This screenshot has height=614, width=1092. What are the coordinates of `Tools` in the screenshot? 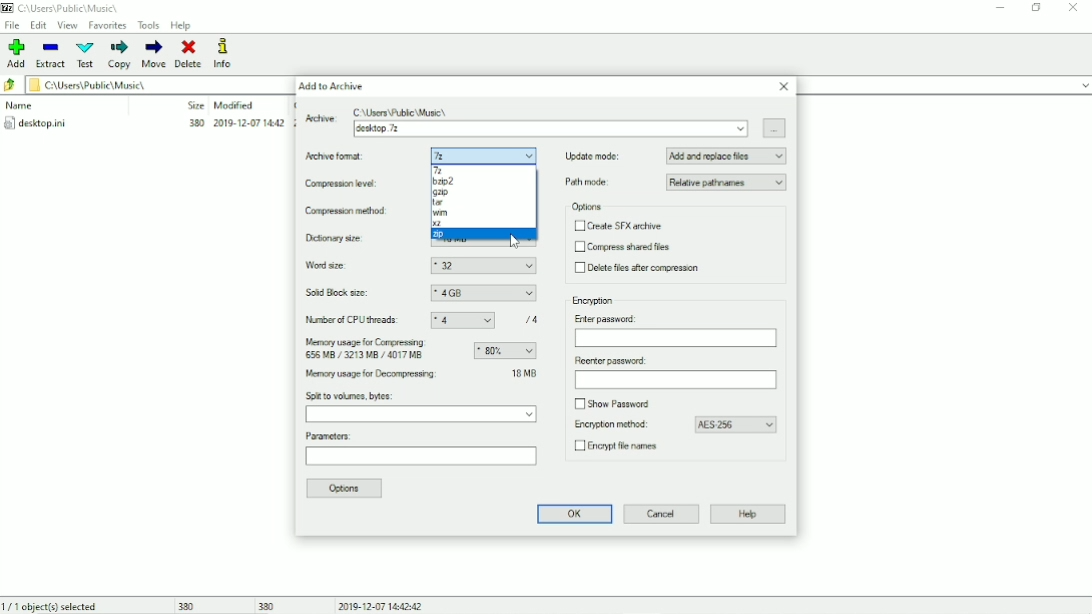 It's located at (149, 25).